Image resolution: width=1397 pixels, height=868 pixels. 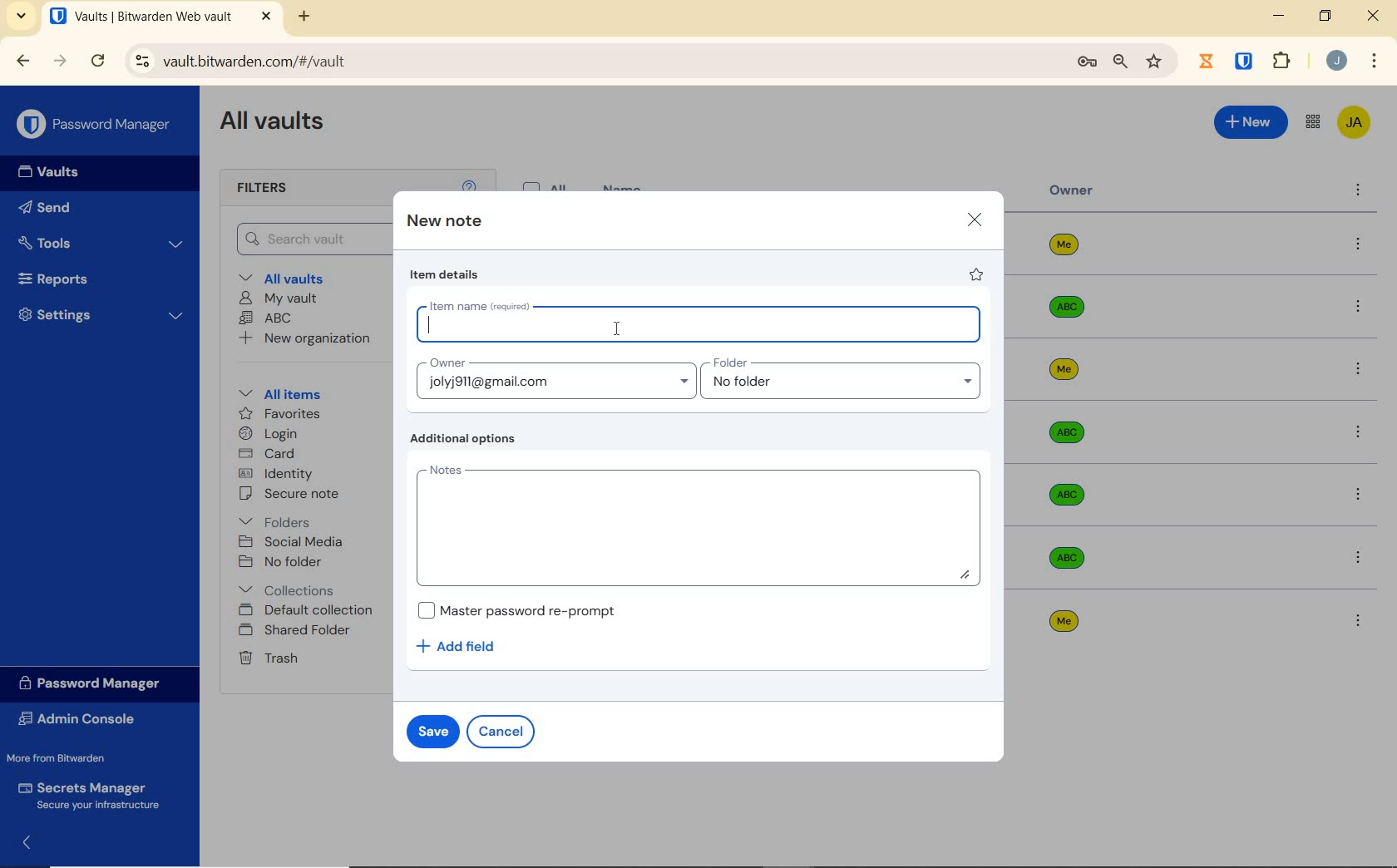 What do you see at coordinates (266, 17) in the screenshot?
I see `CLOSE` at bounding box center [266, 17].